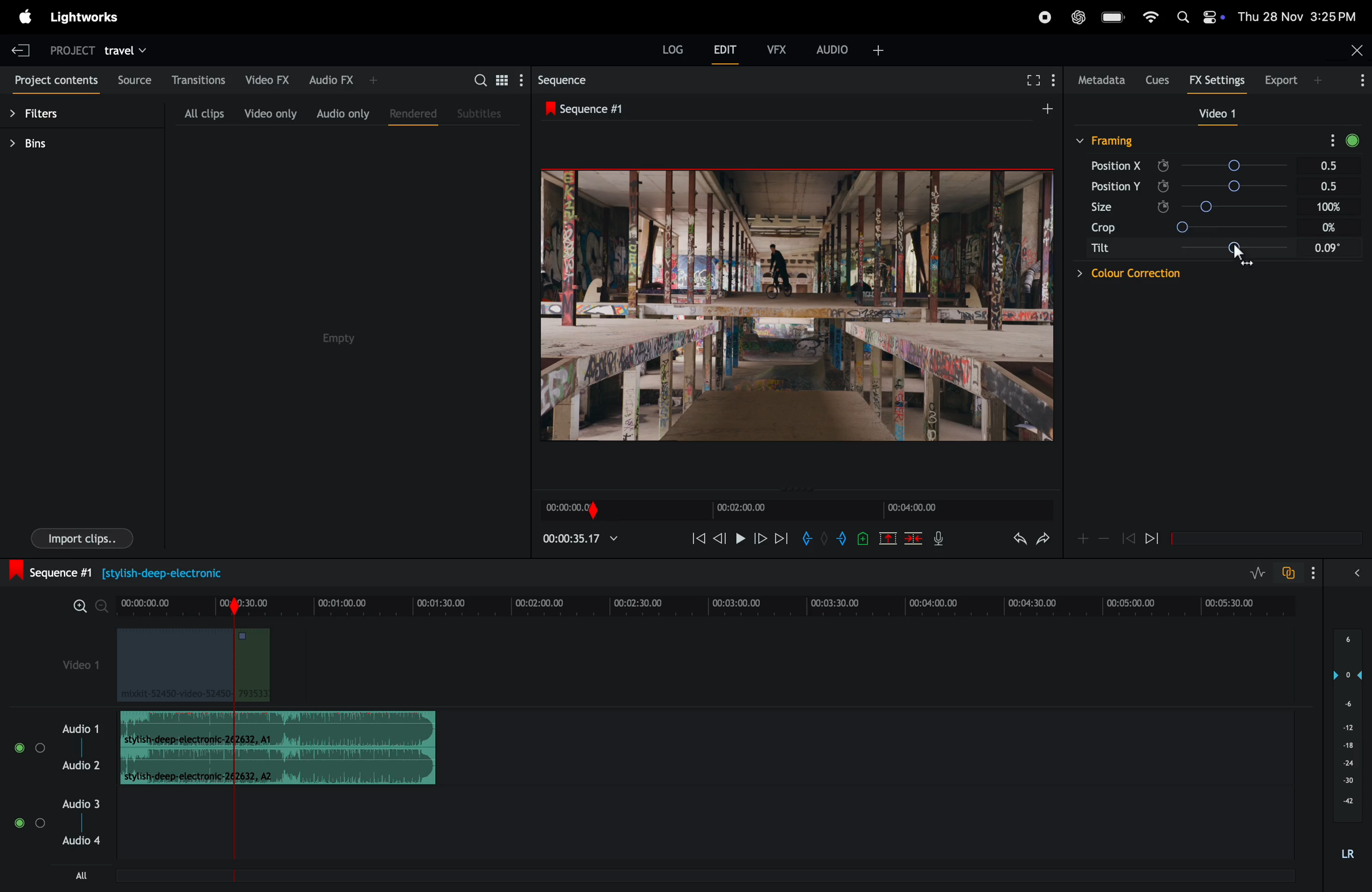 The width and height of the screenshot is (1372, 892). I want to click on battery, so click(1111, 17).